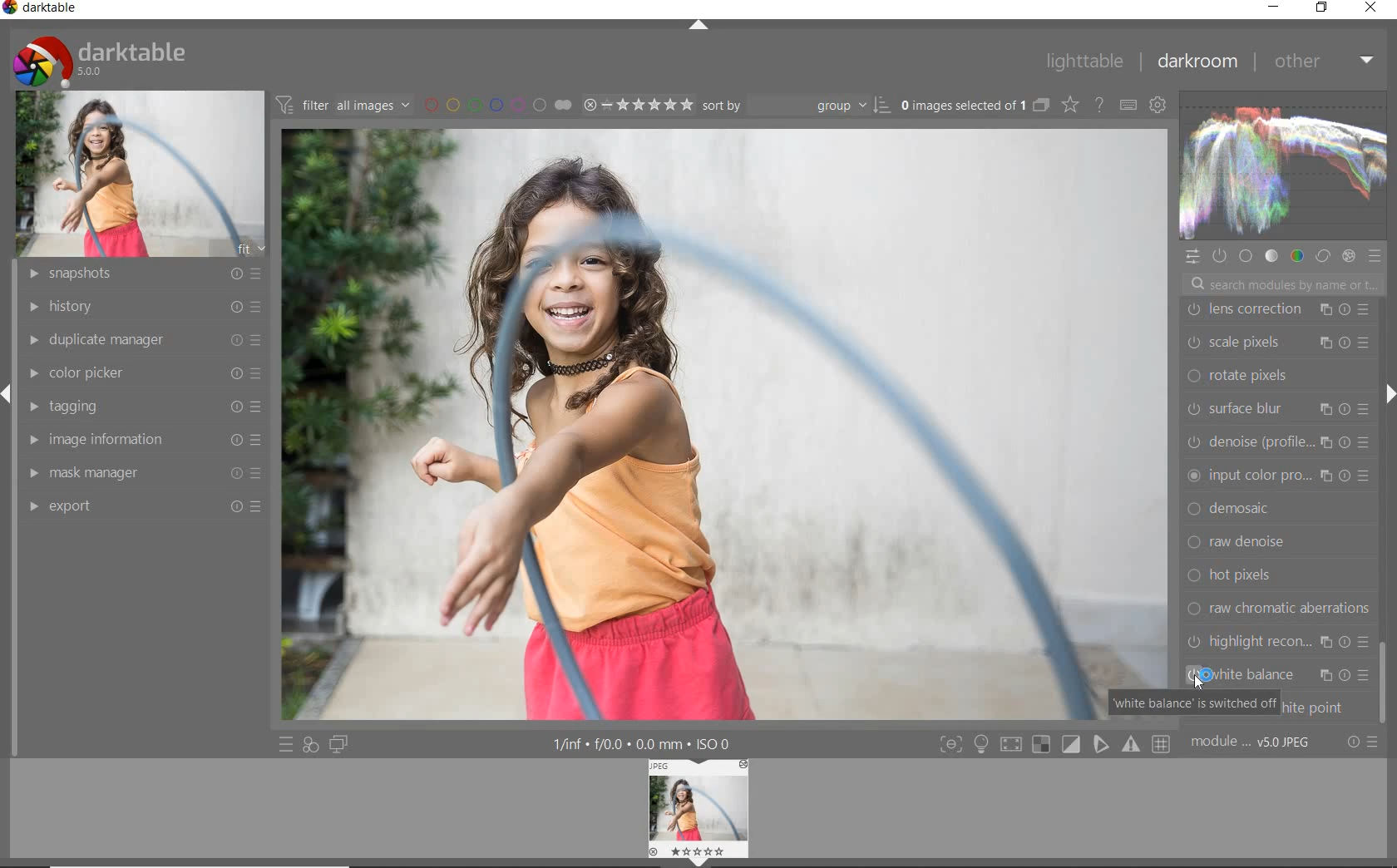  Describe the element at coordinates (141, 338) in the screenshot. I see `duplicate manager` at that location.